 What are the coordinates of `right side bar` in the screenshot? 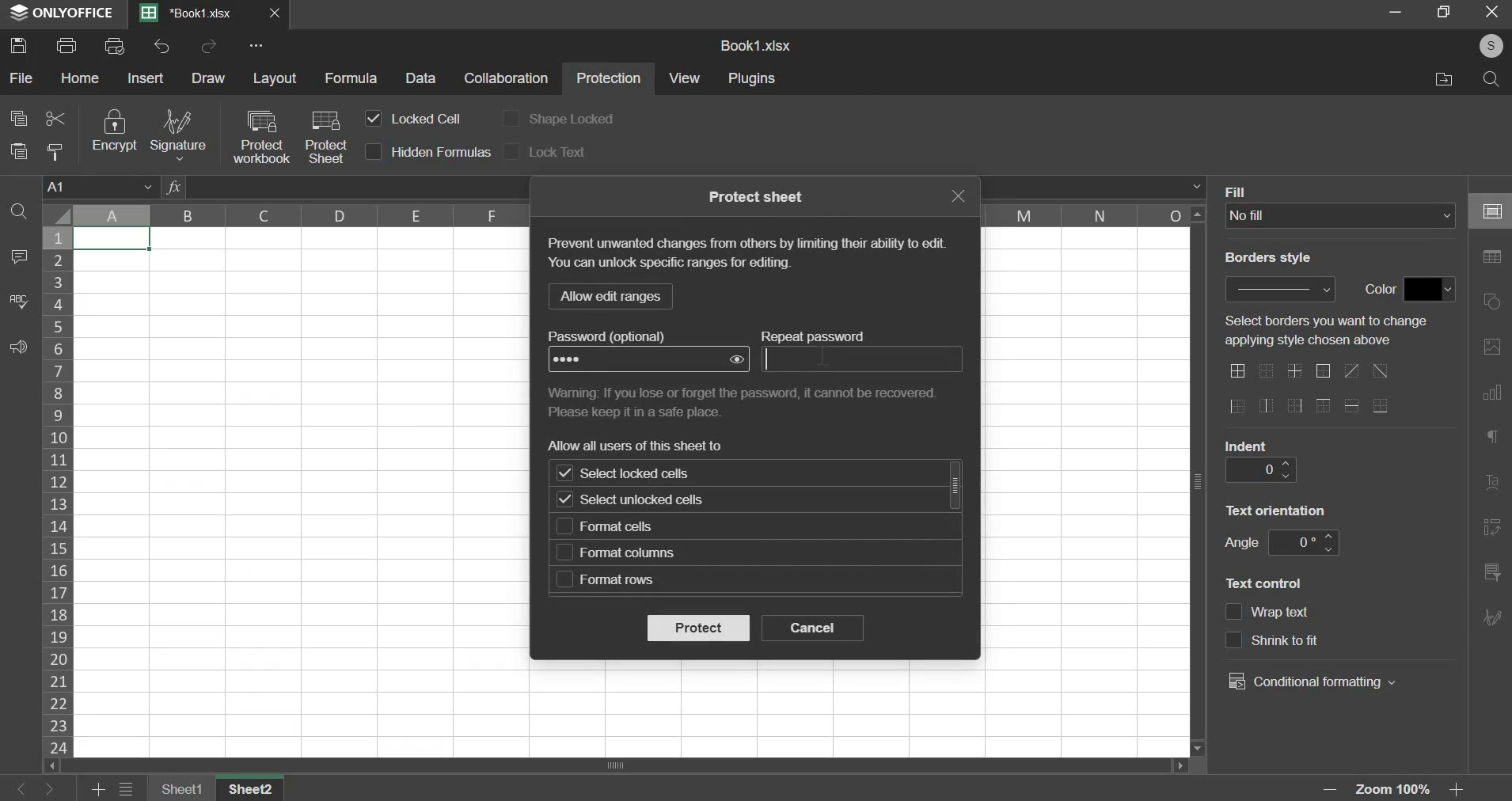 It's located at (1492, 346).